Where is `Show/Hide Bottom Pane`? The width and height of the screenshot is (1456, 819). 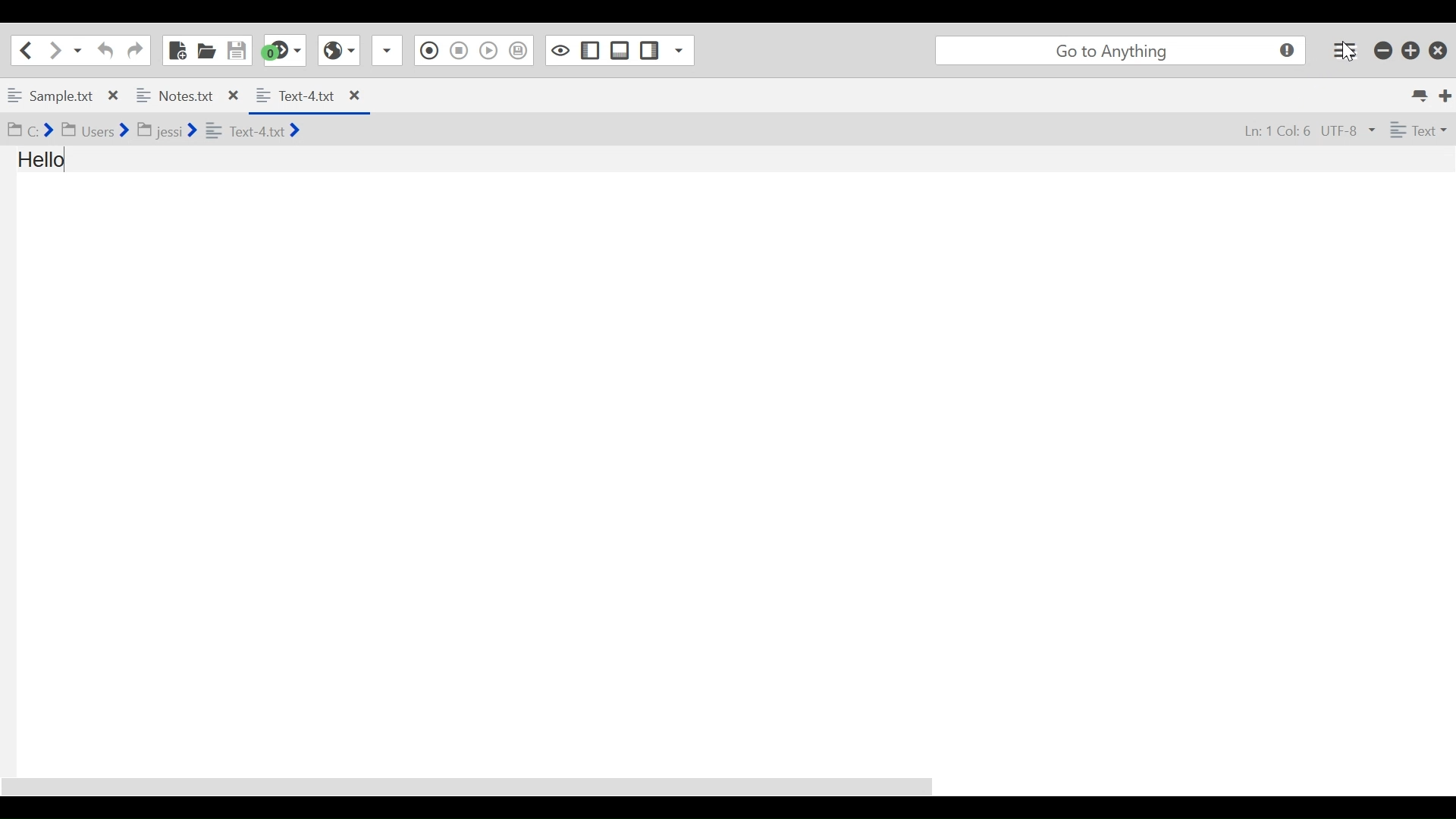
Show/Hide Bottom Pane is located at coordinates (620, 50).